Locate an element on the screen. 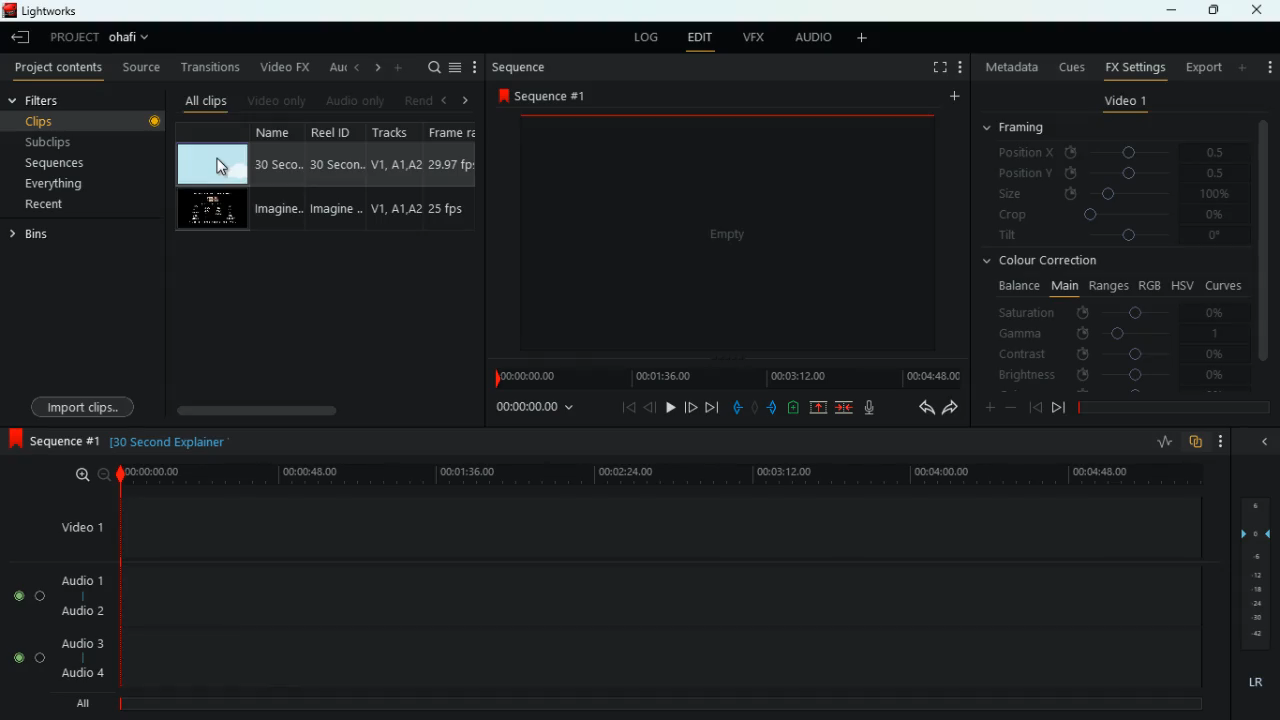  balance is located at coordinates (1018, 286).